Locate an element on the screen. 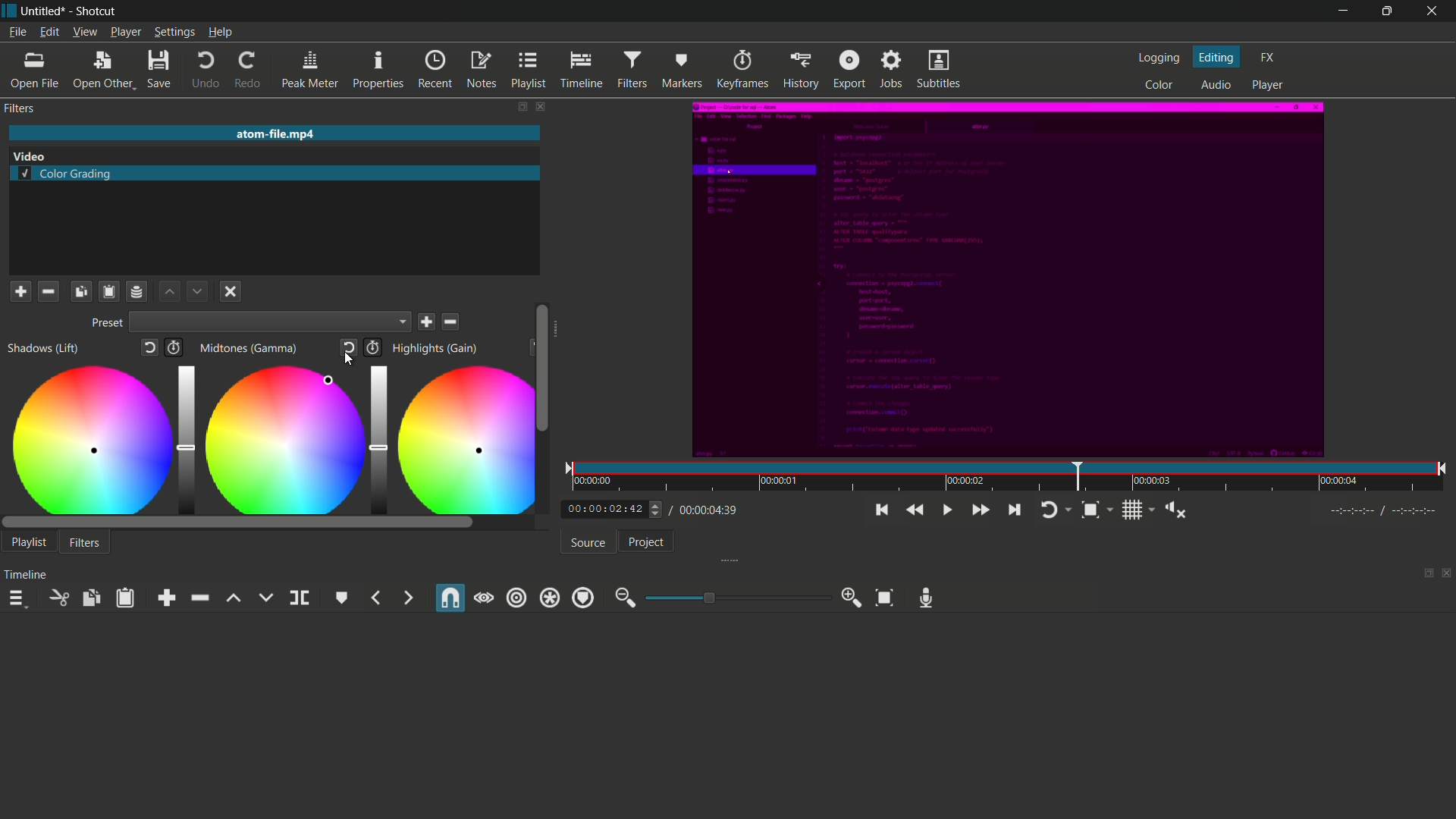 The height and width of the screenshot is (819, 1456). filters is located at coordinates (19, 108).